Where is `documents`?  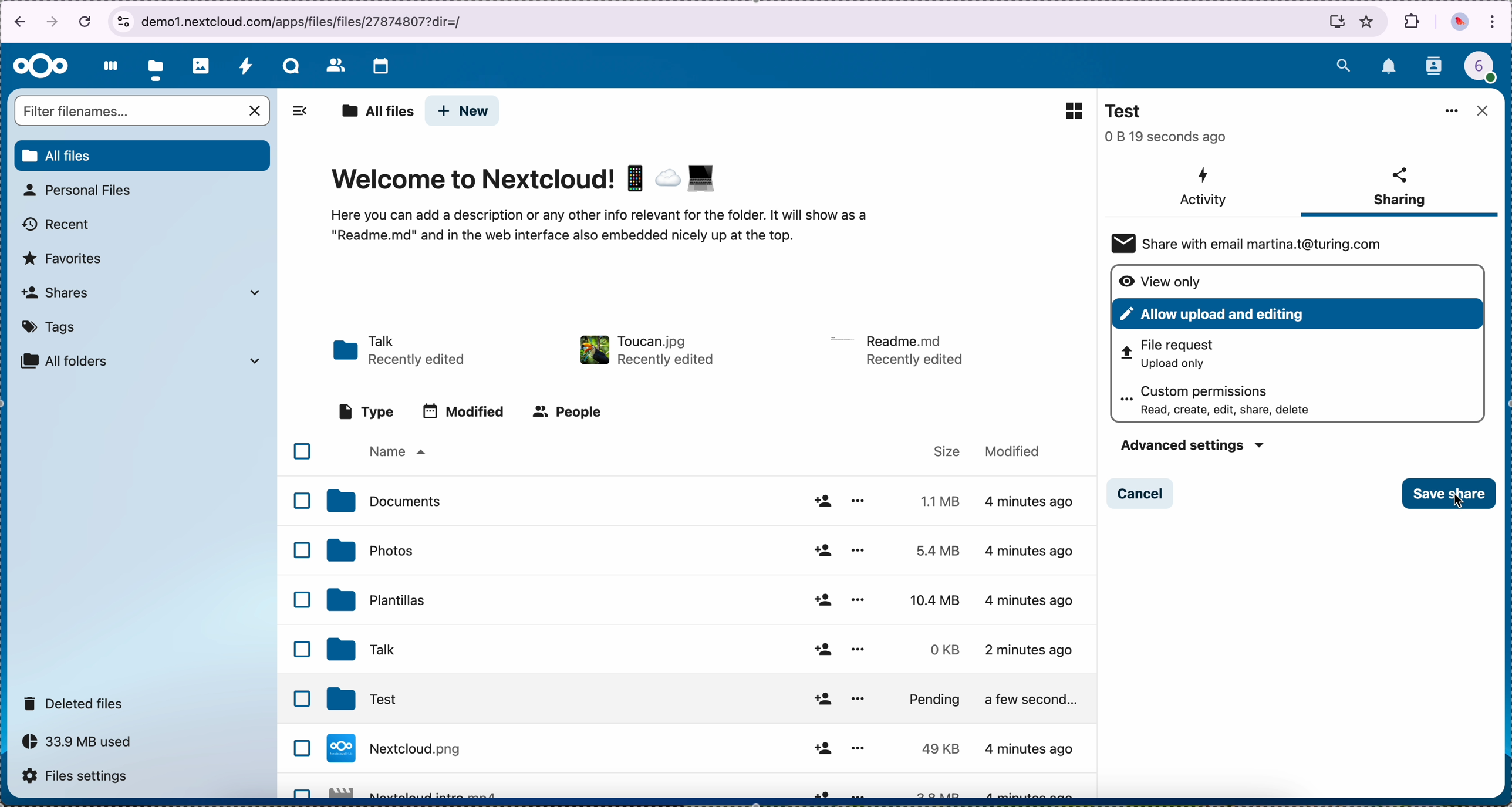 documents is located at coordinates (707, 503).